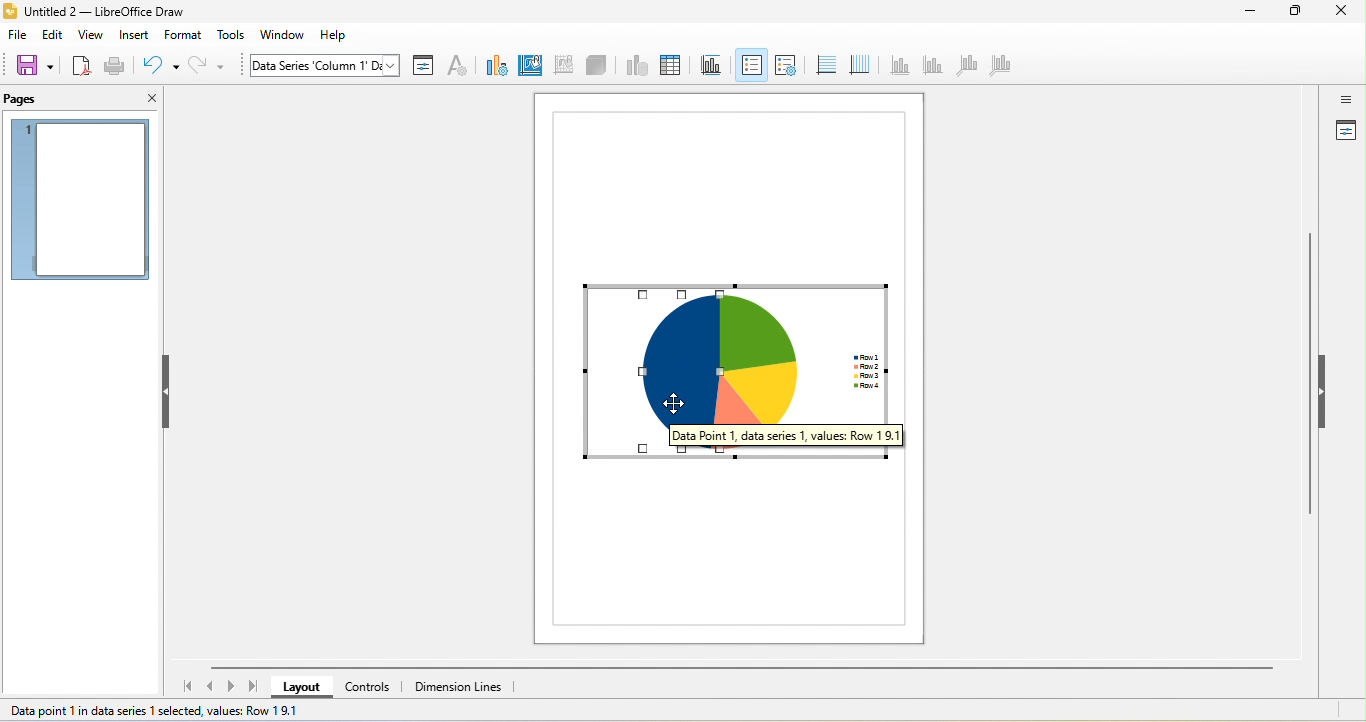  I want to click on change chart, so click(493, 65).